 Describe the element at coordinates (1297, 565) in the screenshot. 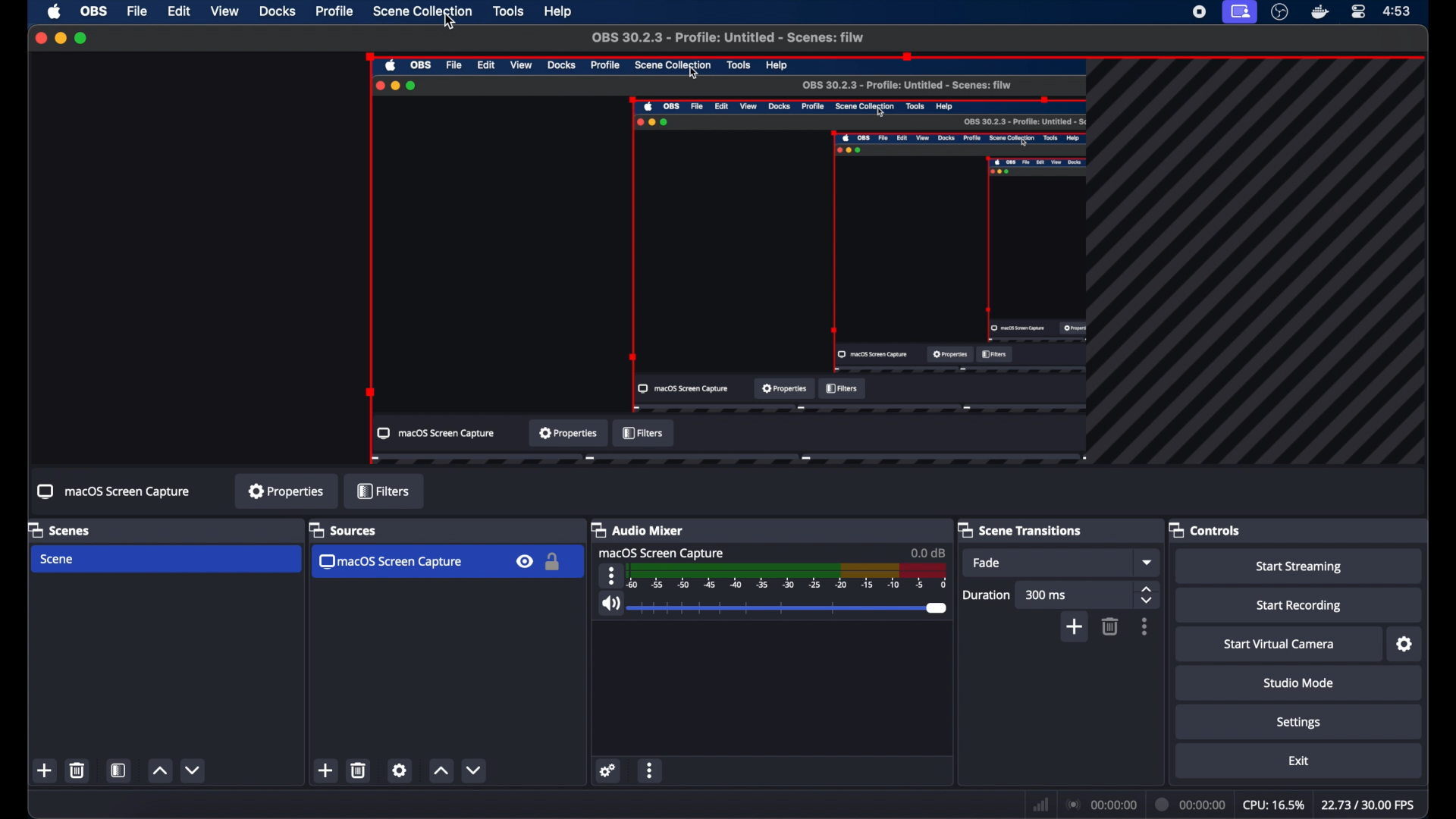

I see `start streaming` at that location.